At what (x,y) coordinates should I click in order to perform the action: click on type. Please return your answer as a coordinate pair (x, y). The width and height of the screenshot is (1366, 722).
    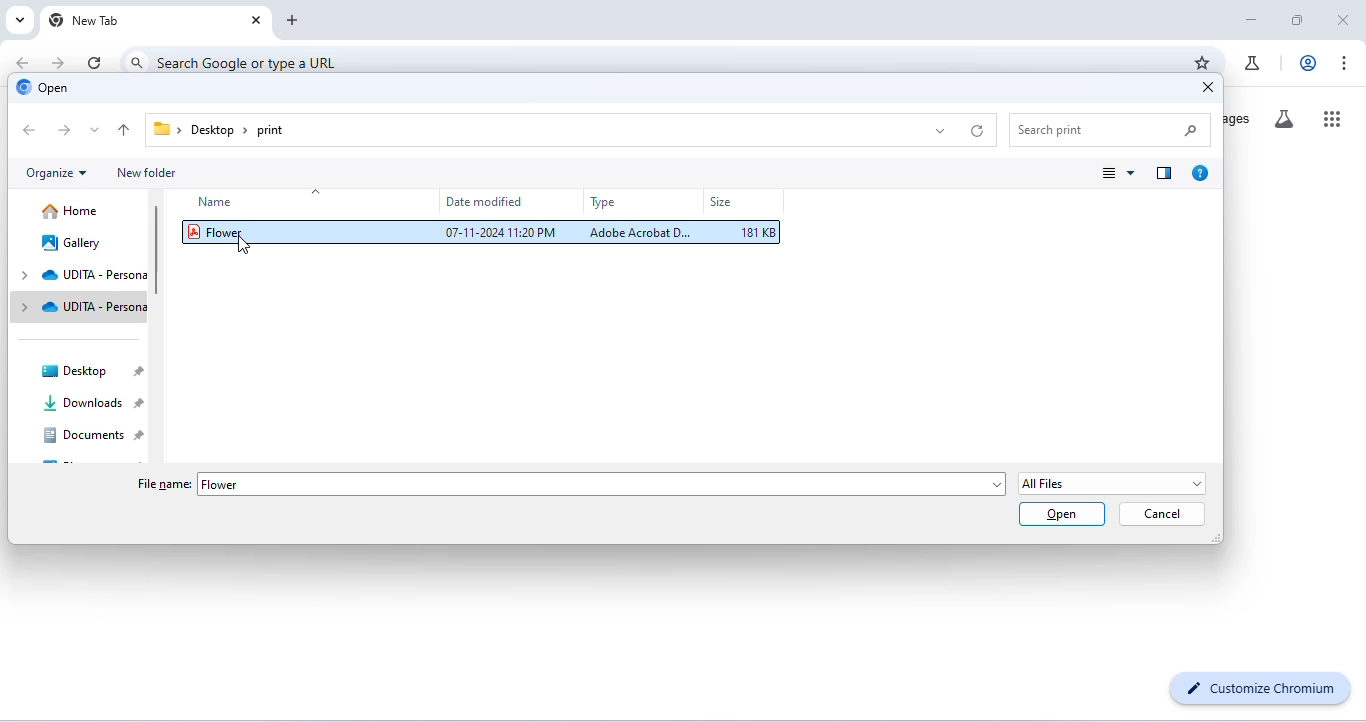
    Looking at the image, I should click on (602, 204).